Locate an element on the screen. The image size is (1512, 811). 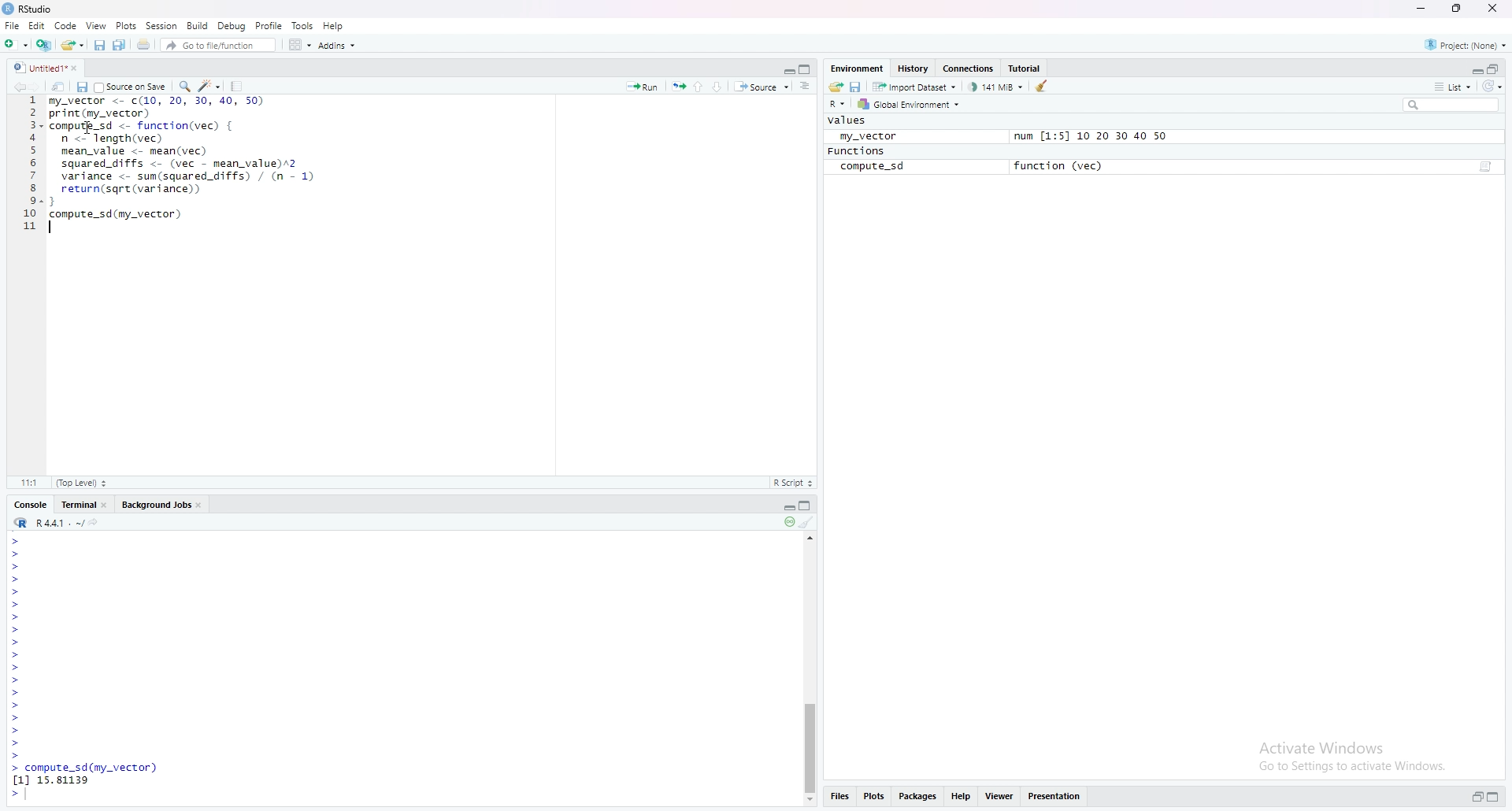
Session suspend timeout passed: A child process is running is located at coordinates (788, 522).